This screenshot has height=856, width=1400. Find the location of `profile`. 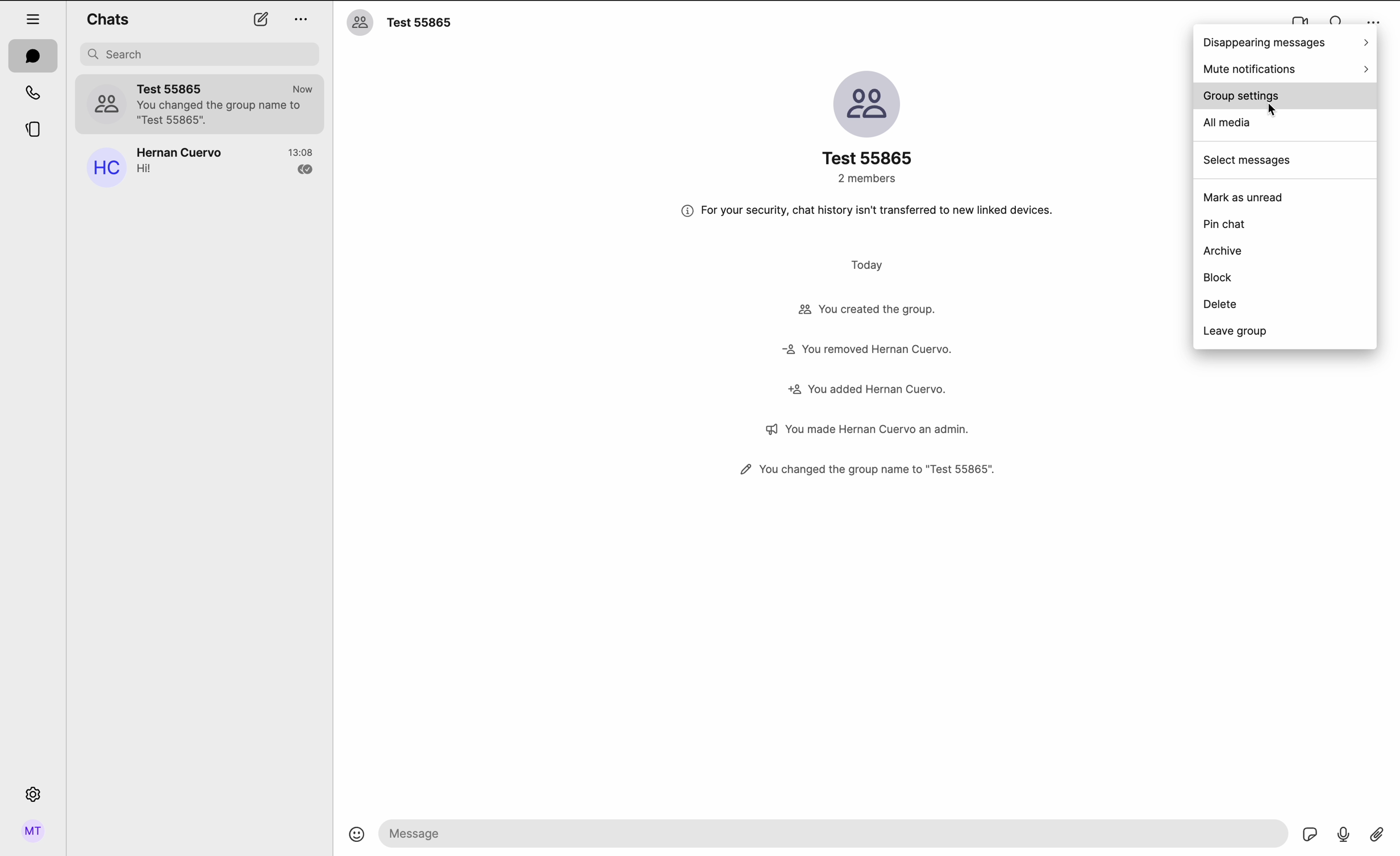

profile is located at coordinates (35, 832).